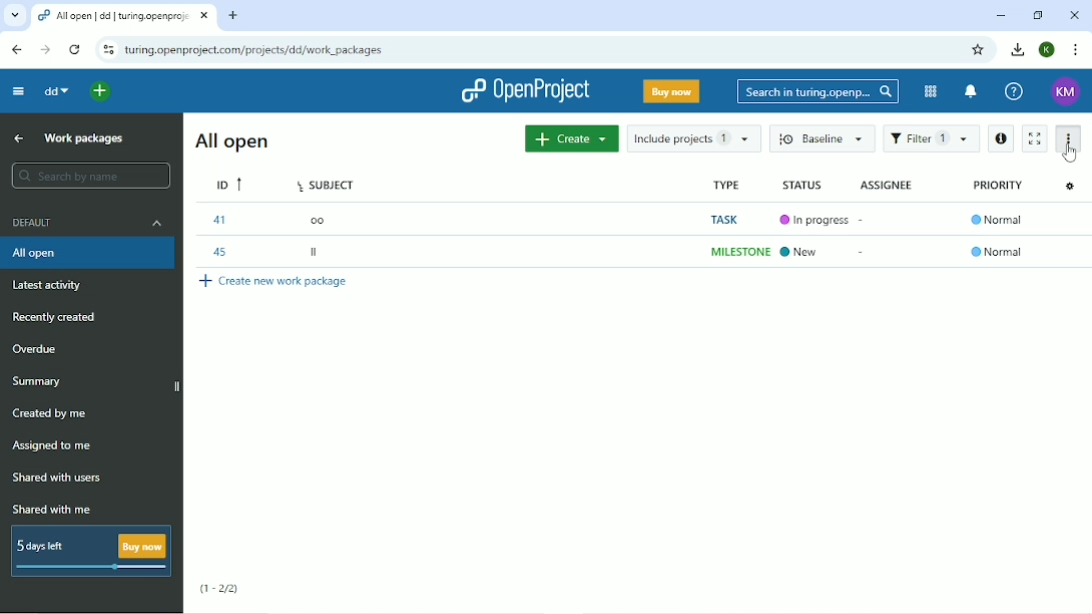 The image size is (1092, 614). What do you see at coordinates (63, 478) in the screenshot?
I see `Shared with users` at bounding box center [63, 478].